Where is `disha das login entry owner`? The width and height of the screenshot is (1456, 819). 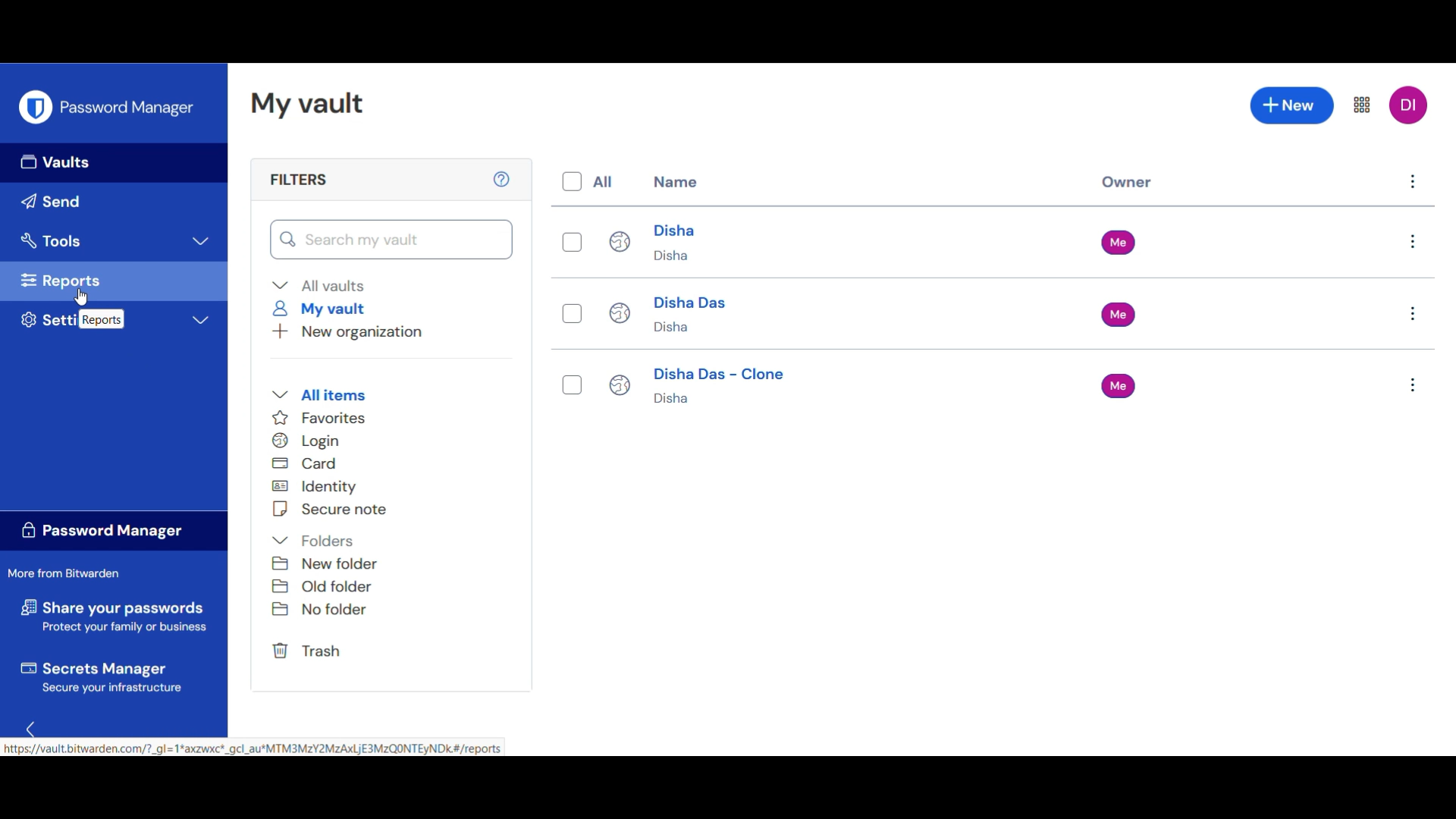
disha das login entry owner is located at coordinates (1131, 315).